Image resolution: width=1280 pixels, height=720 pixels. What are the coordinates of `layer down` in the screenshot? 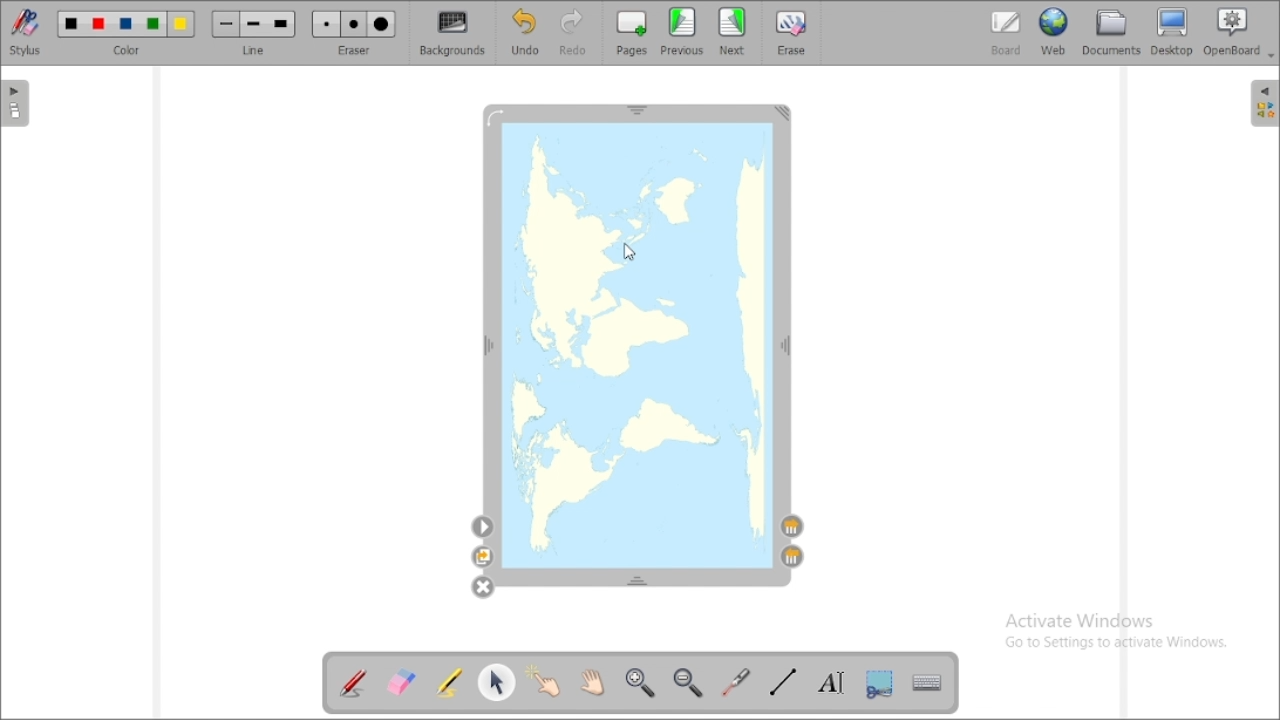 It's located at (793, 527).